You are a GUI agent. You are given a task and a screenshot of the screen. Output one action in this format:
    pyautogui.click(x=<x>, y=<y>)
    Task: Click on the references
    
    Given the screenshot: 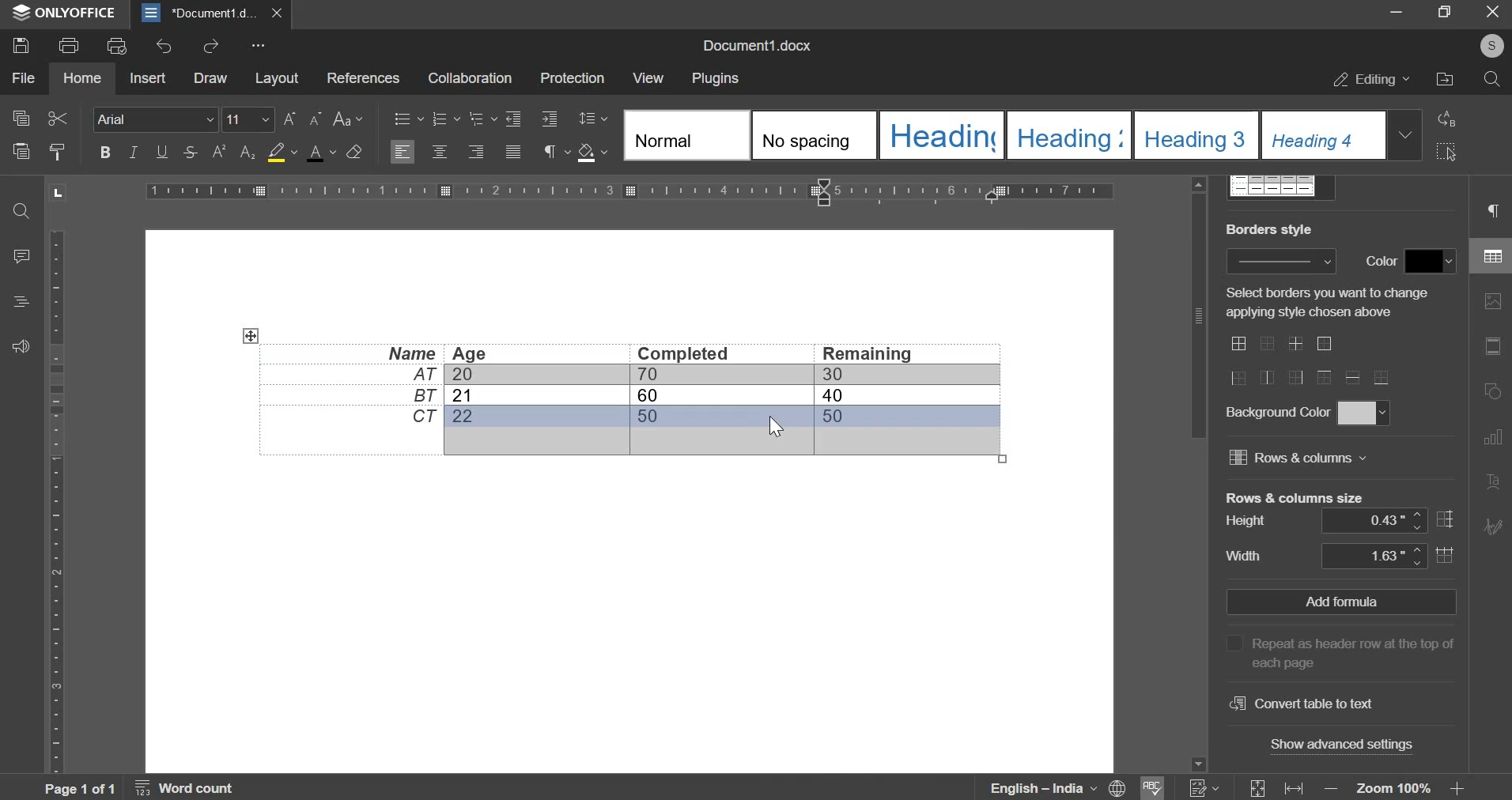 What is the action you would take?
    pyautogui.click(x=361, y=75)
    